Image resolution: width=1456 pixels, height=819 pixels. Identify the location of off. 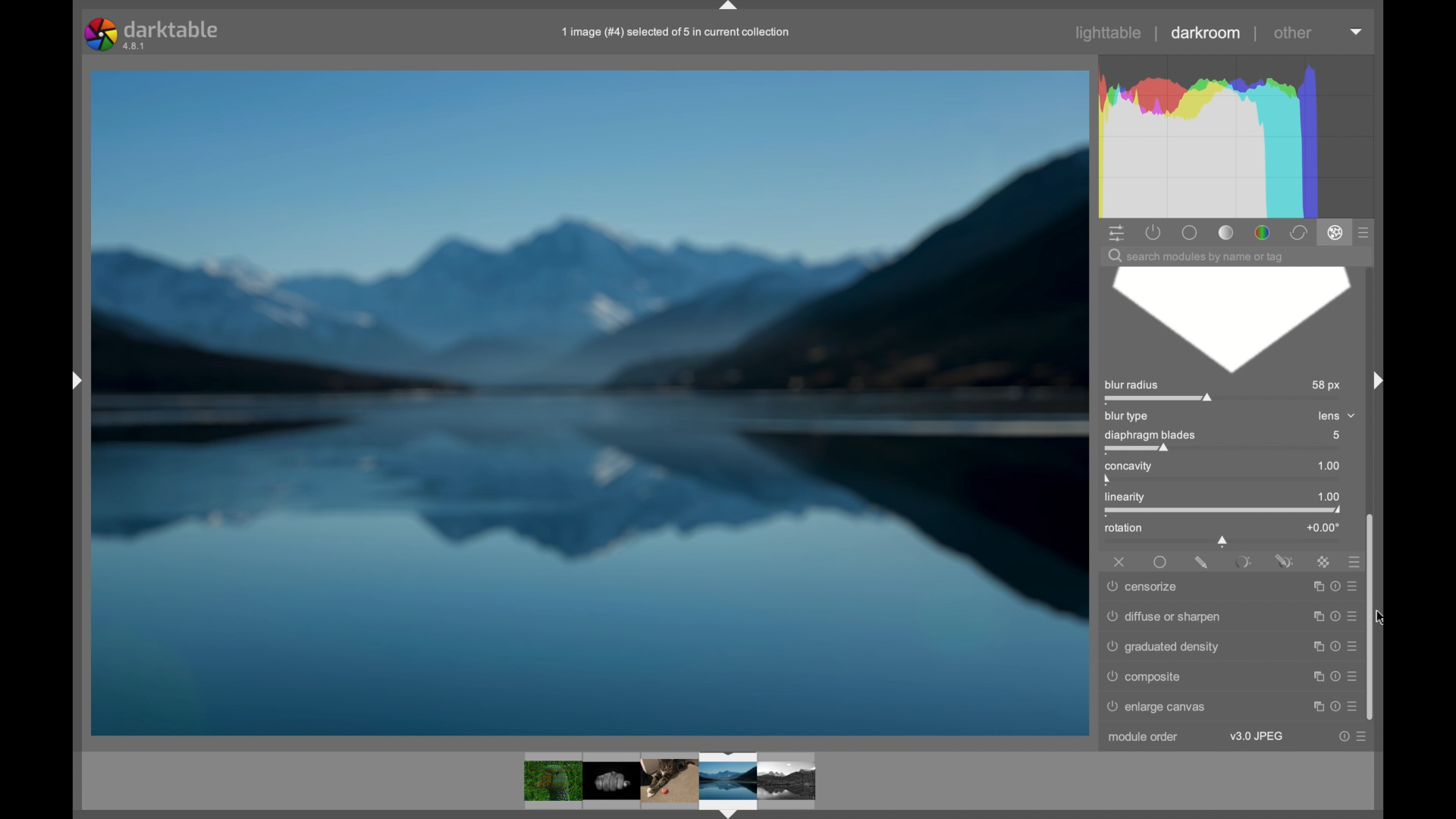
(1119, 560).